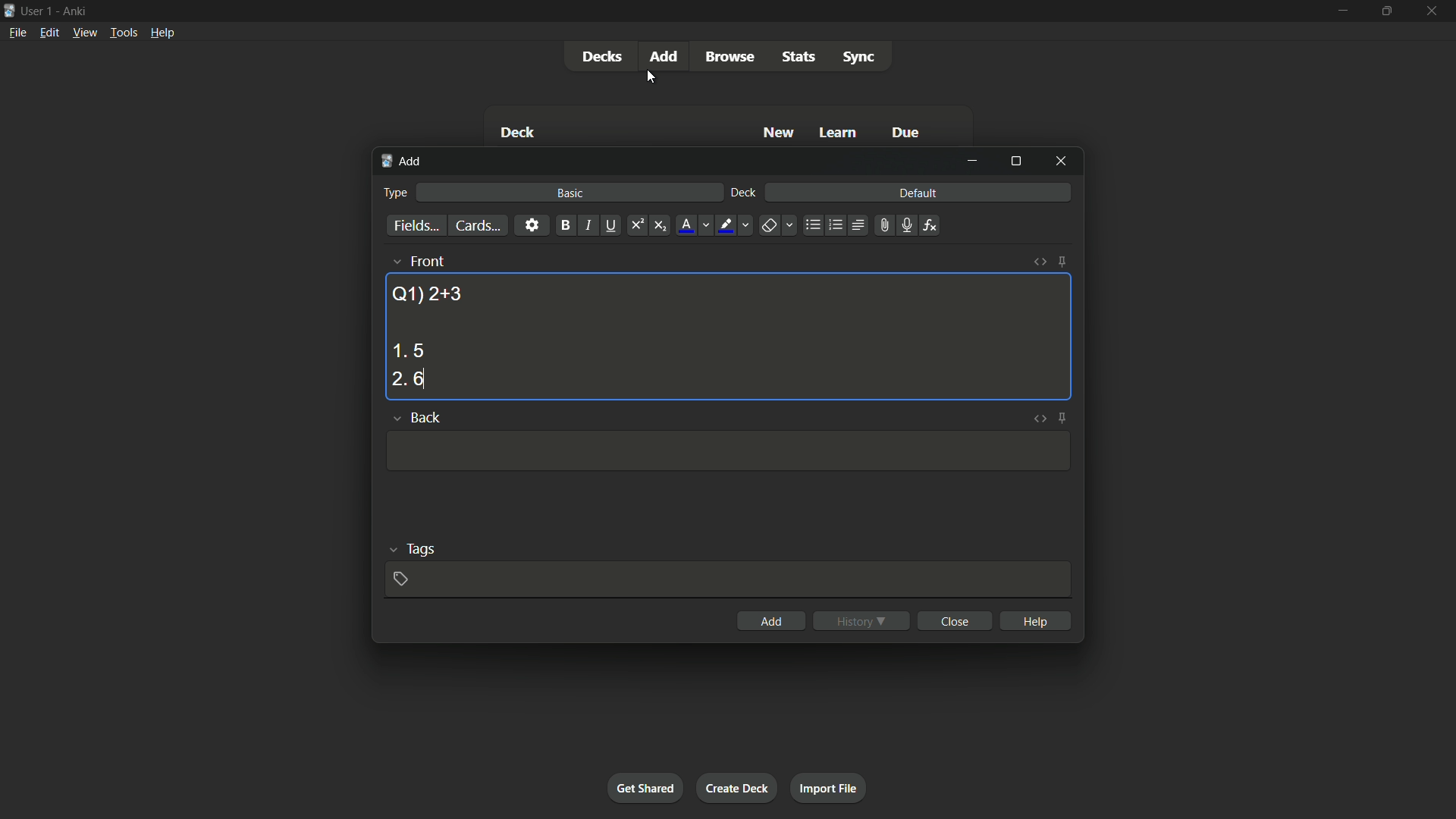 Image resolution: width=1456 pixels, height=819 pixels. What do you see at coordinates (800, 57) in the screenshot?
I see `stats` at bounding box center [800, 57].